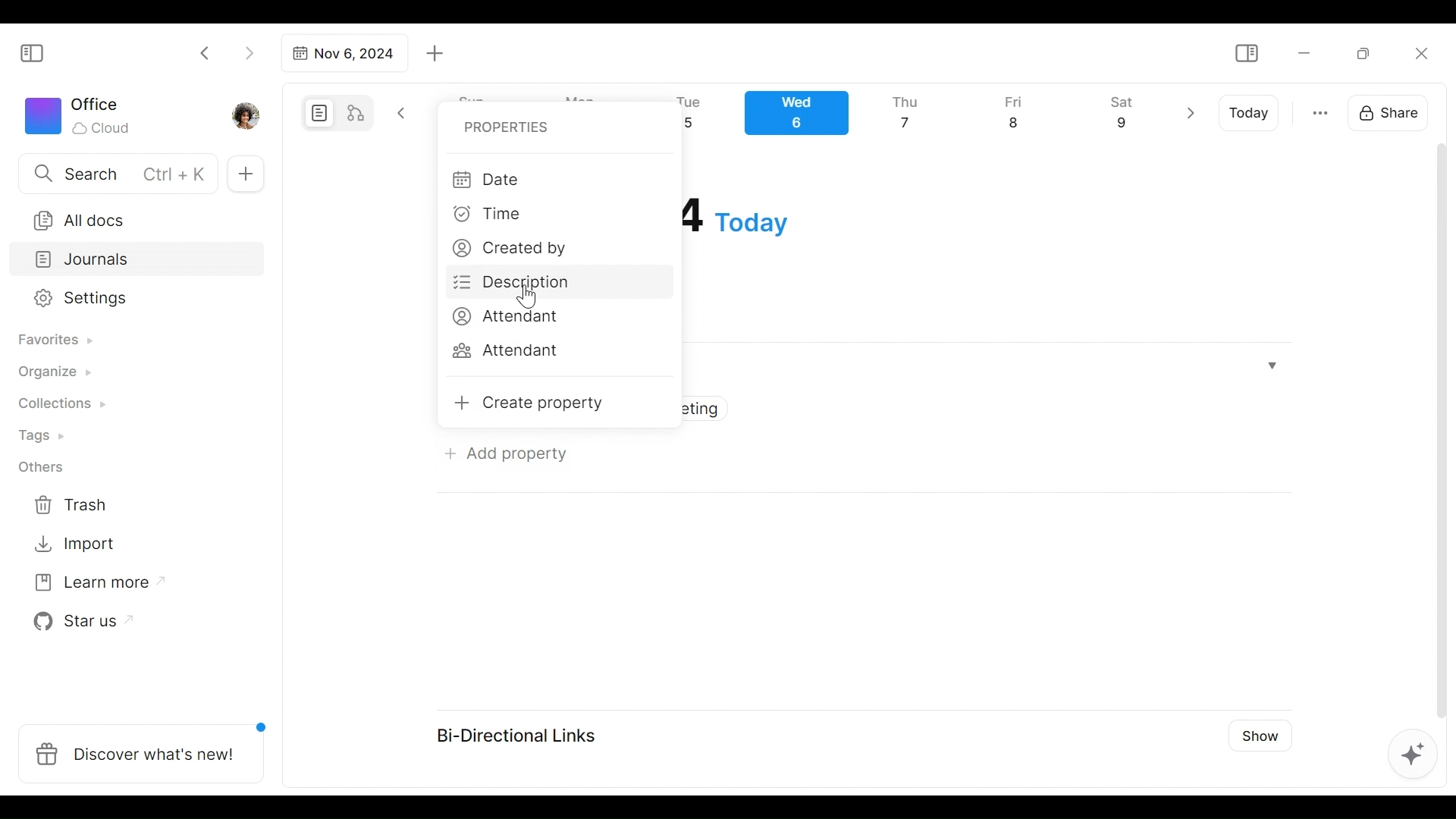  Describe the element at coordinates (39, 52) in the screenshot. I see `Show/Hide Sidebar` at that location.